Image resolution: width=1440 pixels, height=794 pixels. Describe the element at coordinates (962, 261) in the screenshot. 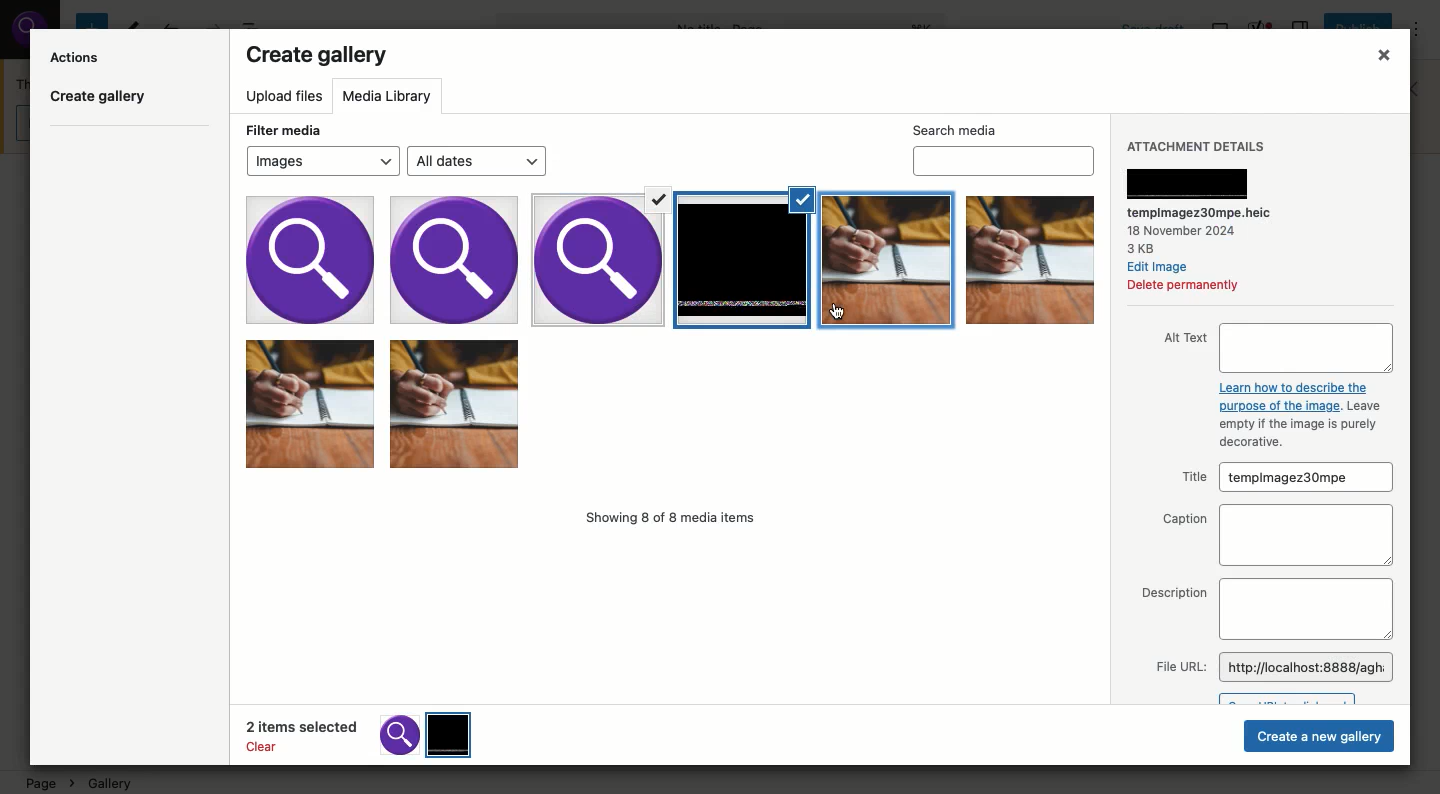

I see `Selected Images` at that location.